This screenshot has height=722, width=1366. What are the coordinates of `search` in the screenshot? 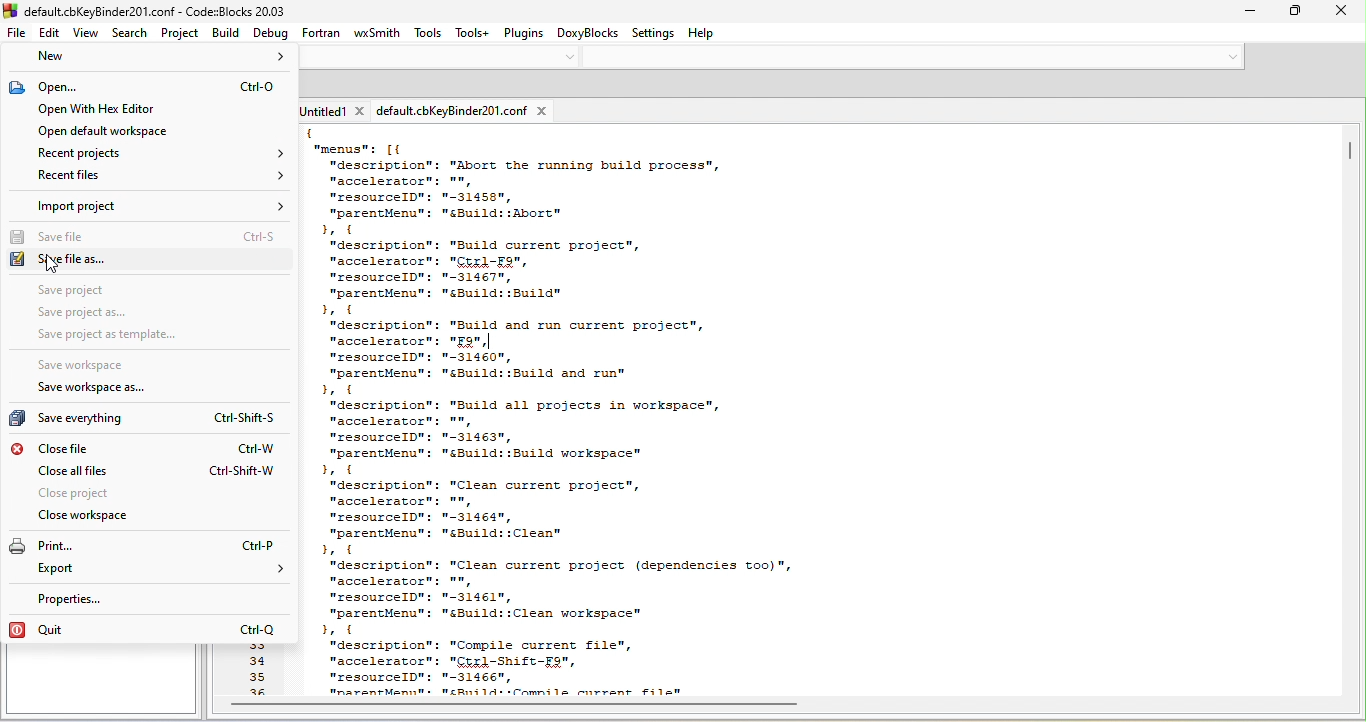 It's located at (132, 34).